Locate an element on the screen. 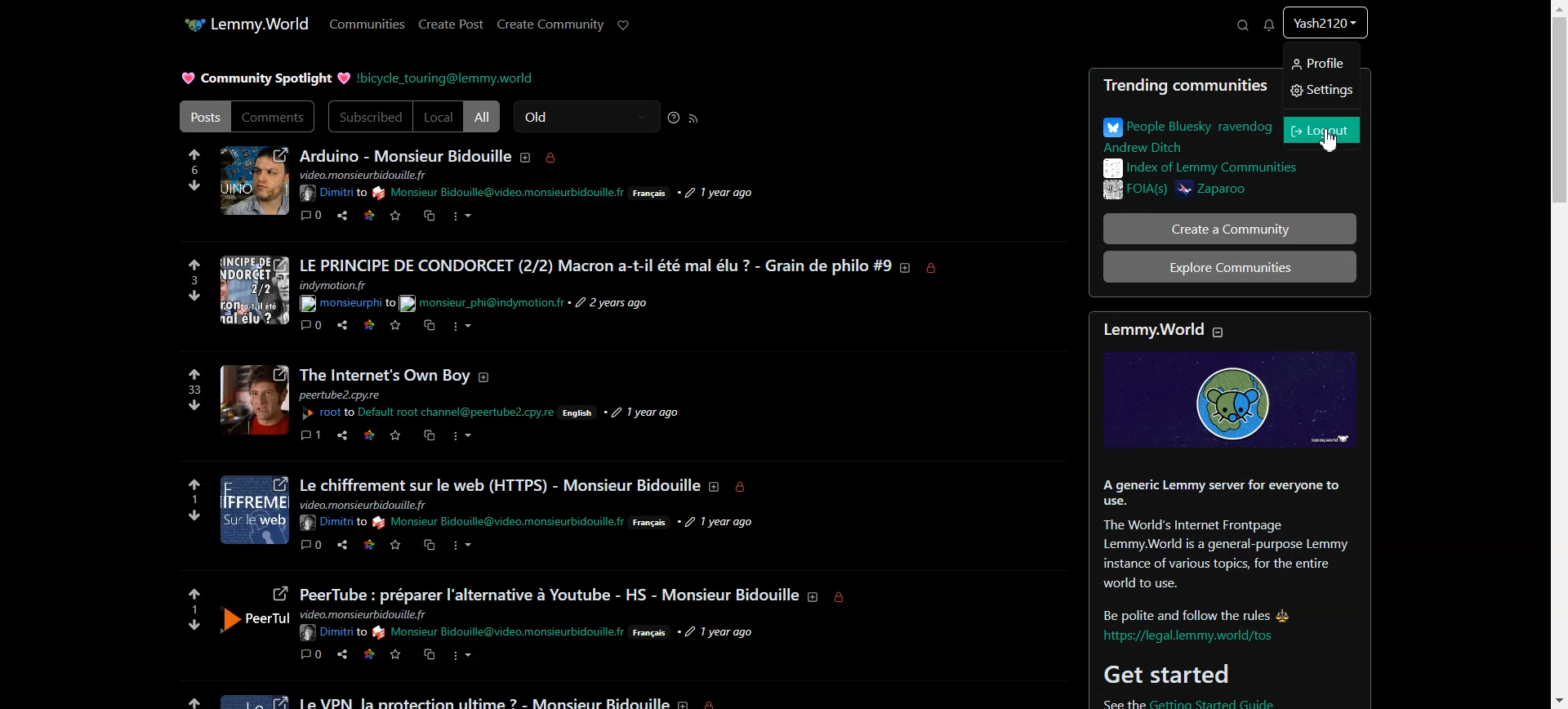 The height and width of the screenshot is (709, 1568). Trending communities is located at coordinates (1184, 90).